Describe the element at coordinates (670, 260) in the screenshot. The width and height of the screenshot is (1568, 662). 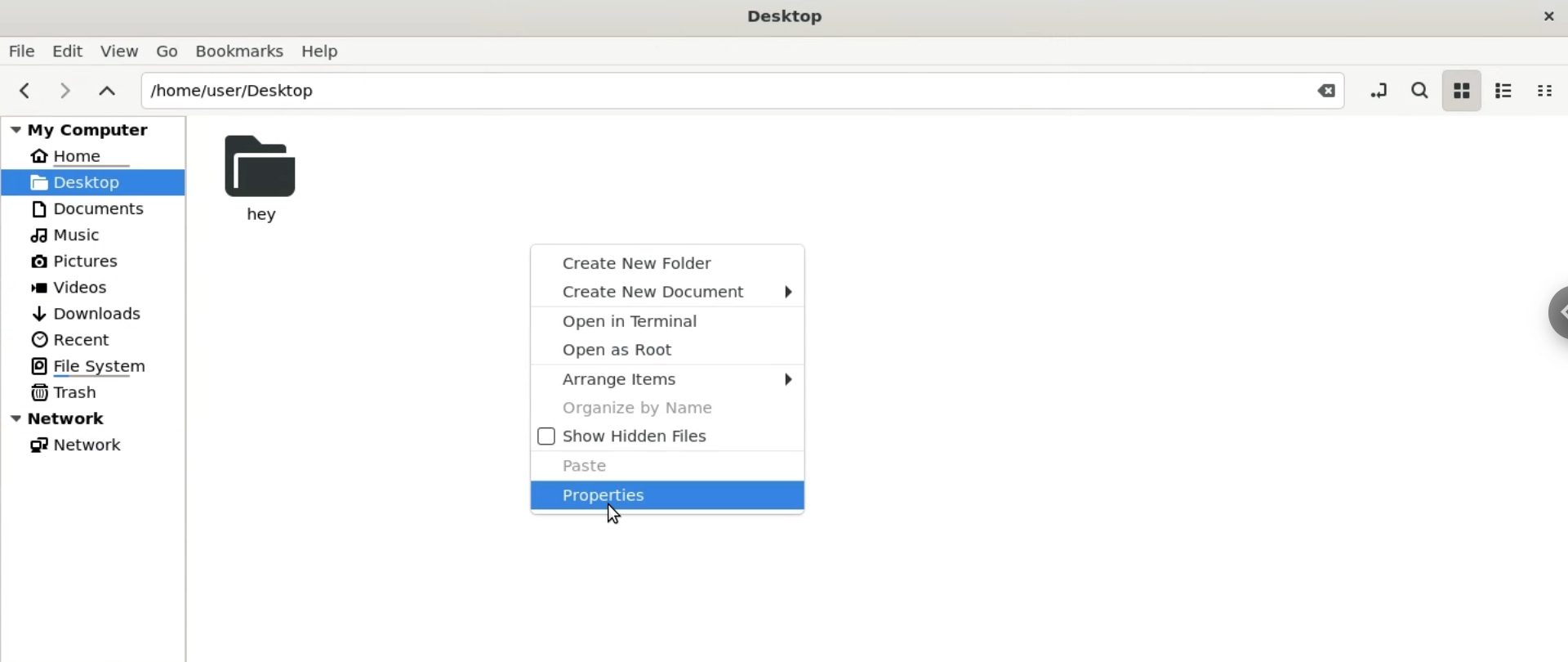
I see `create new folders` at that location.